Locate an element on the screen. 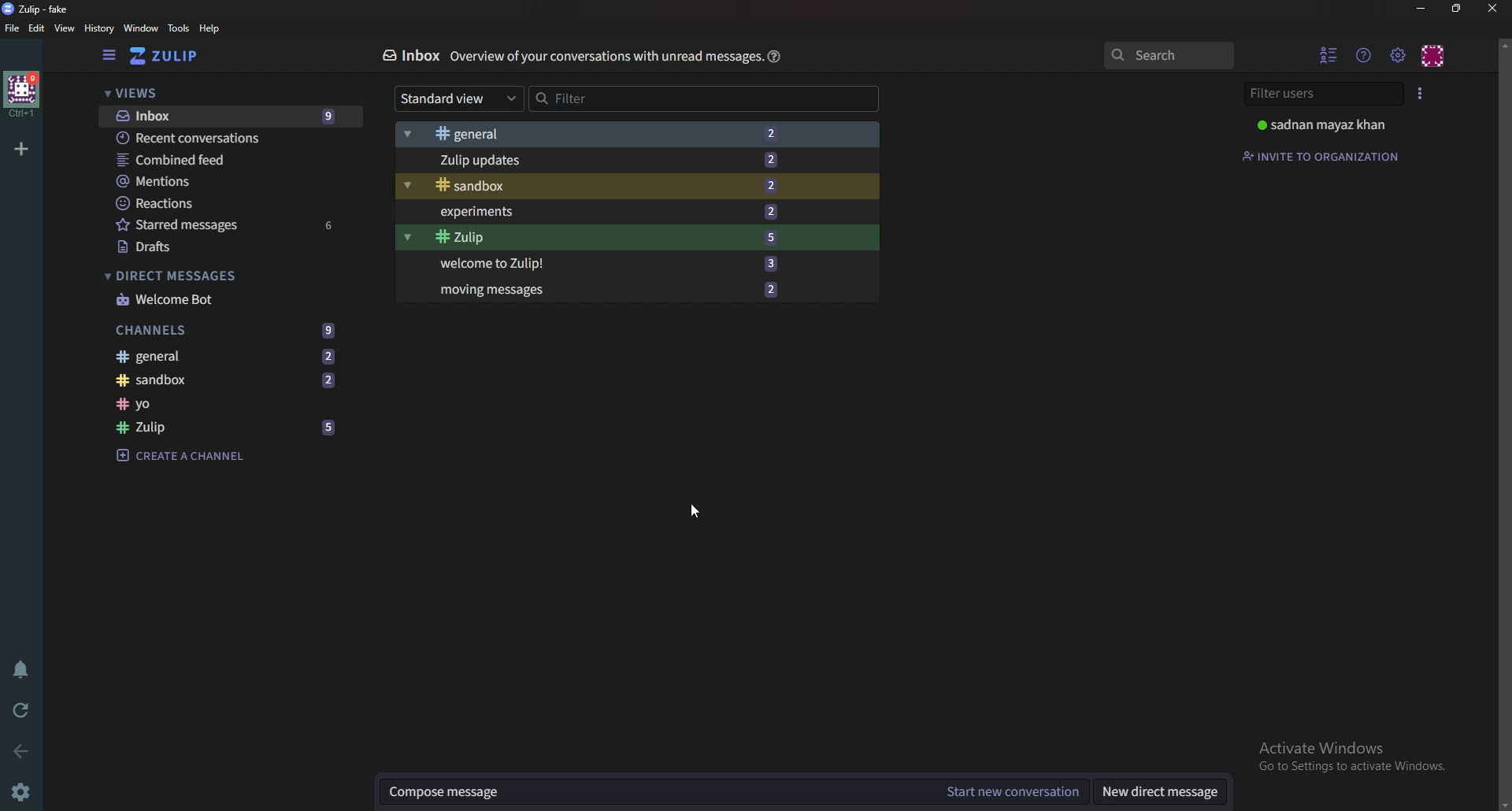  history is located at coordinates (98, 28).